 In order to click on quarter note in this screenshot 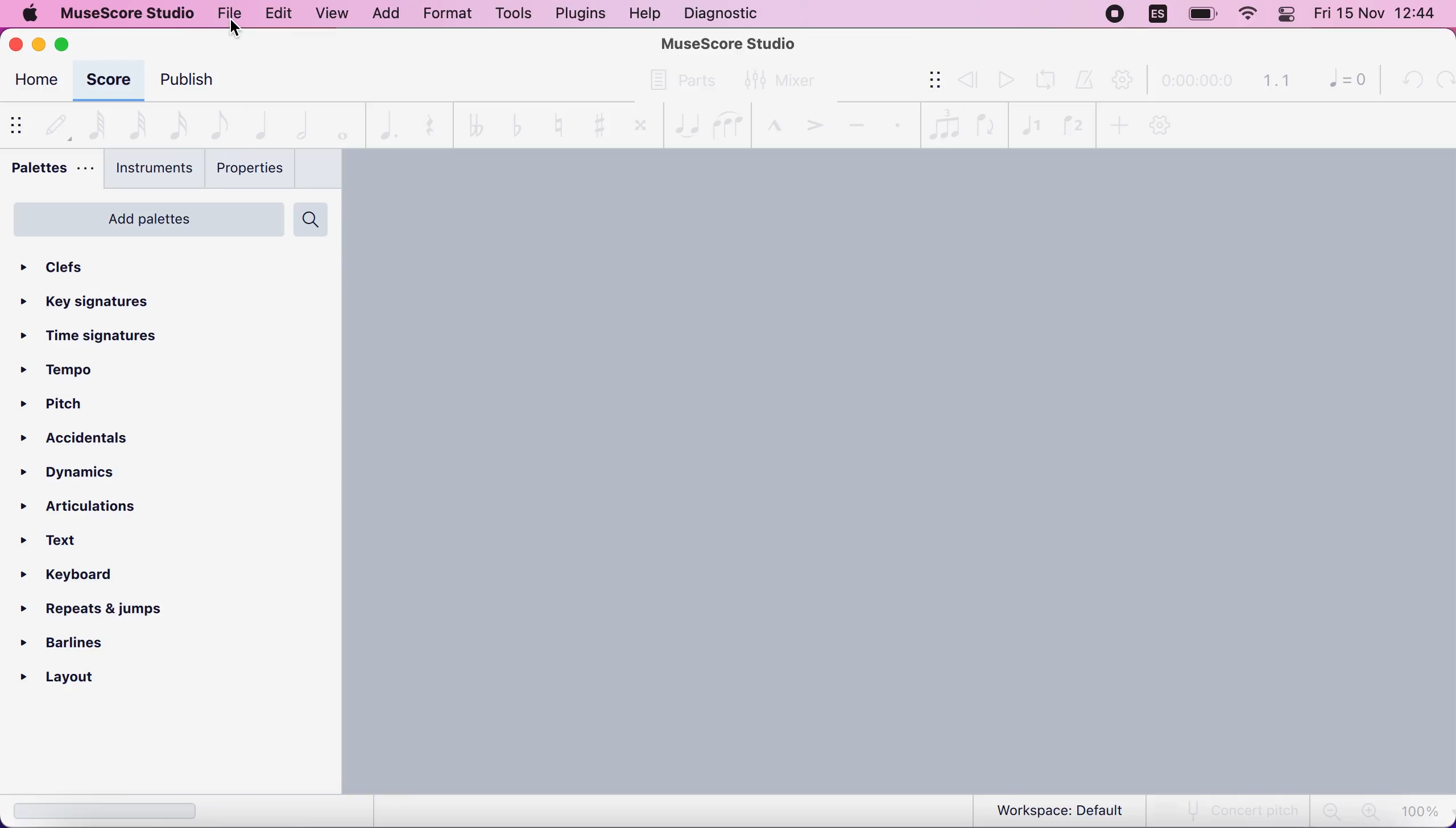, I will do `click(263, 123)`.